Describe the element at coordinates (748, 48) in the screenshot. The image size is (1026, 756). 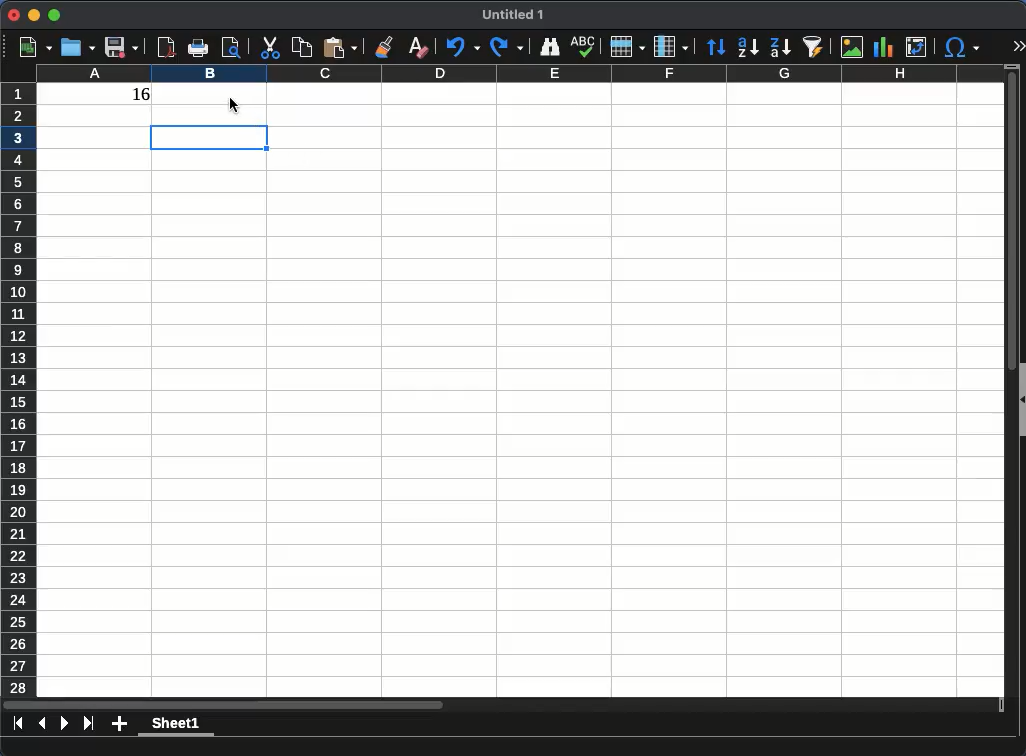
I see `ascending` at that location.